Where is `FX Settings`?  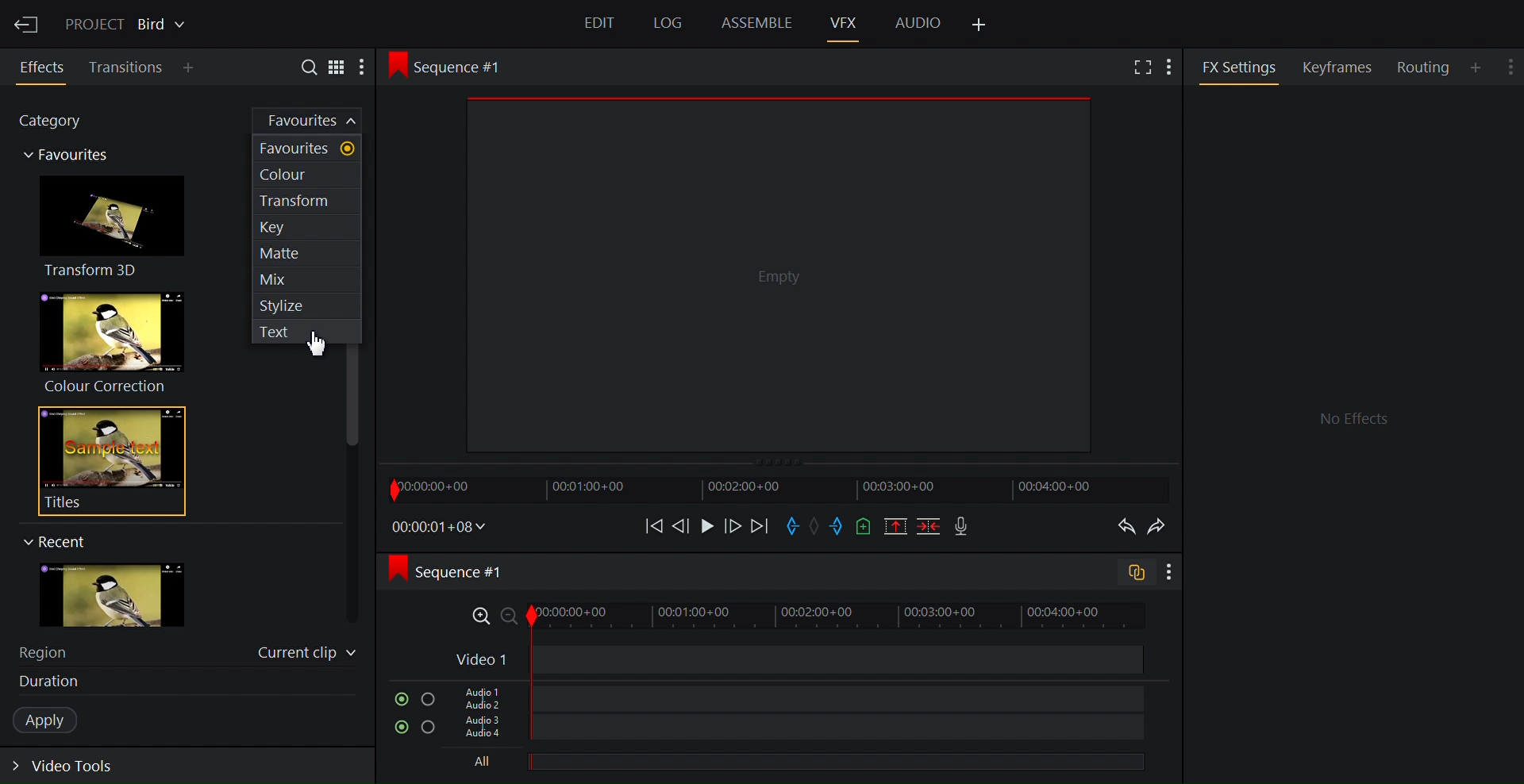
FX Settings is located at coordinates (1239, 67).